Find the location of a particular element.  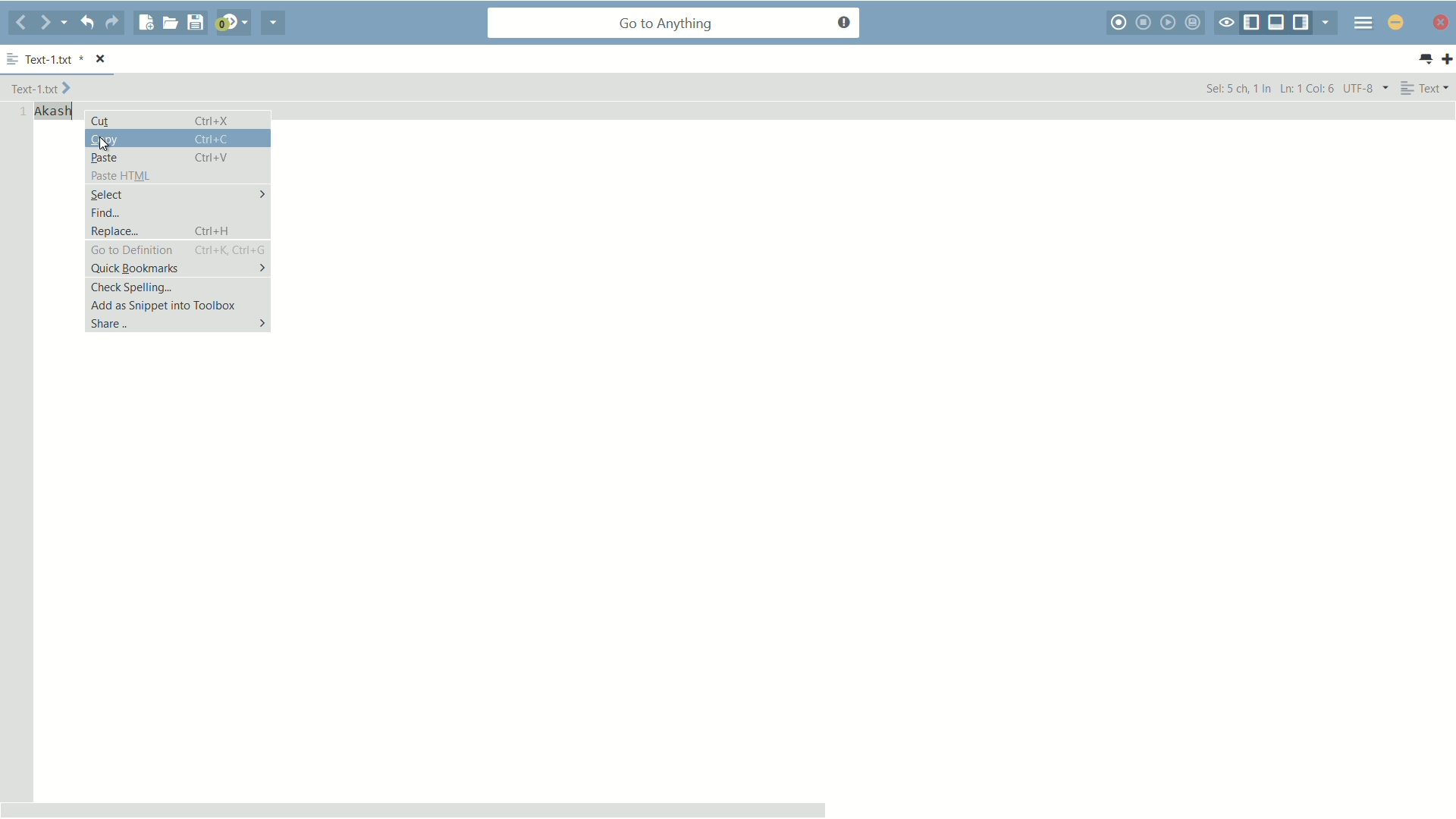

show specific sidebar/tab is located at coordinates (1329, 23).